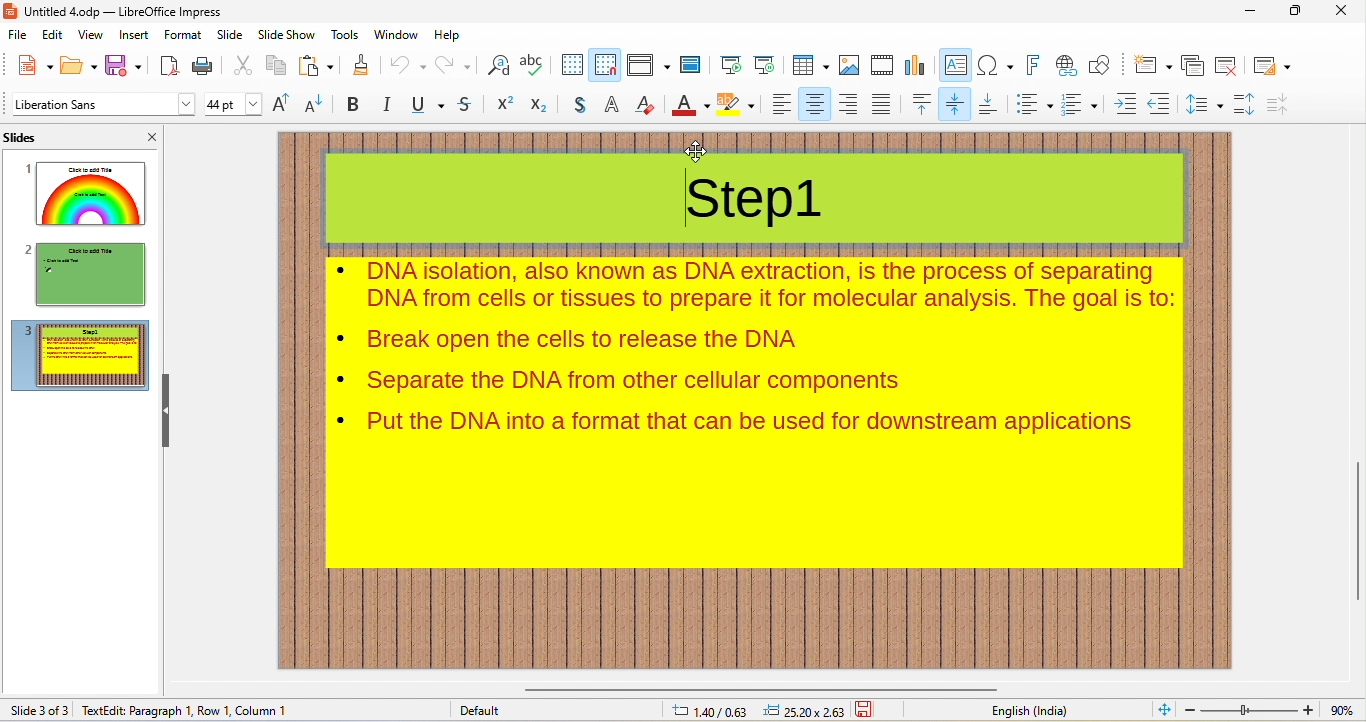 Image resolution: width=1366 pixels, height=722 pixels. I want to click on copy, so click(274, 66).